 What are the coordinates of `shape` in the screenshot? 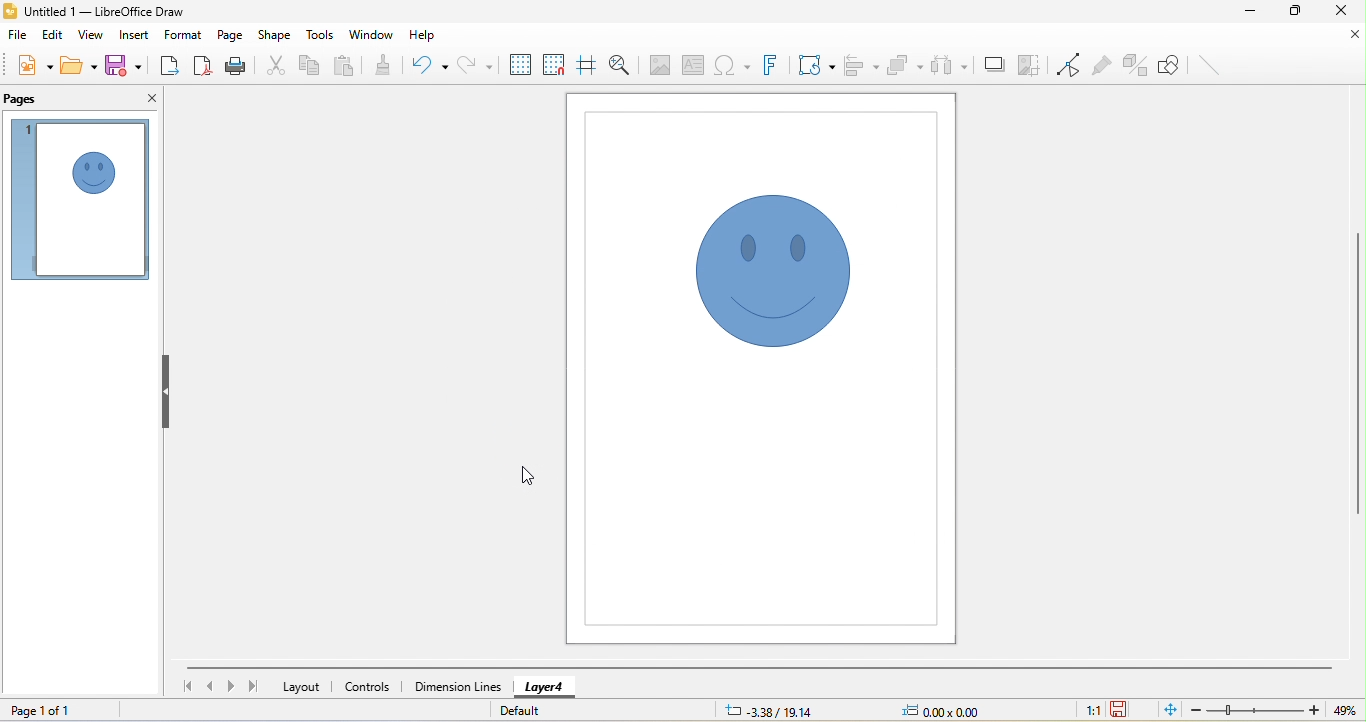 It's located at (274, 37).